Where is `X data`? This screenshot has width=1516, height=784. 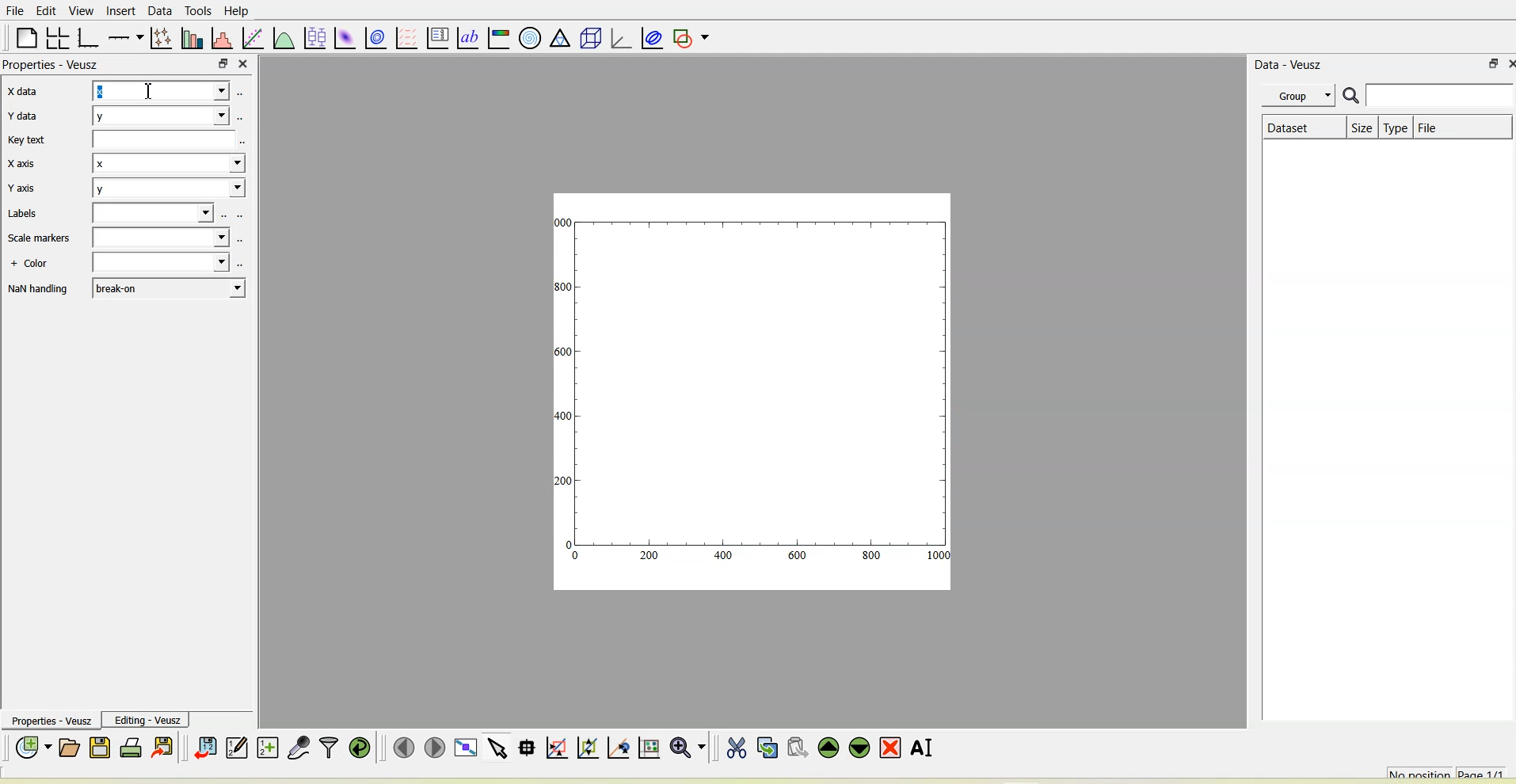 X data is located at coordinates (30, 89).